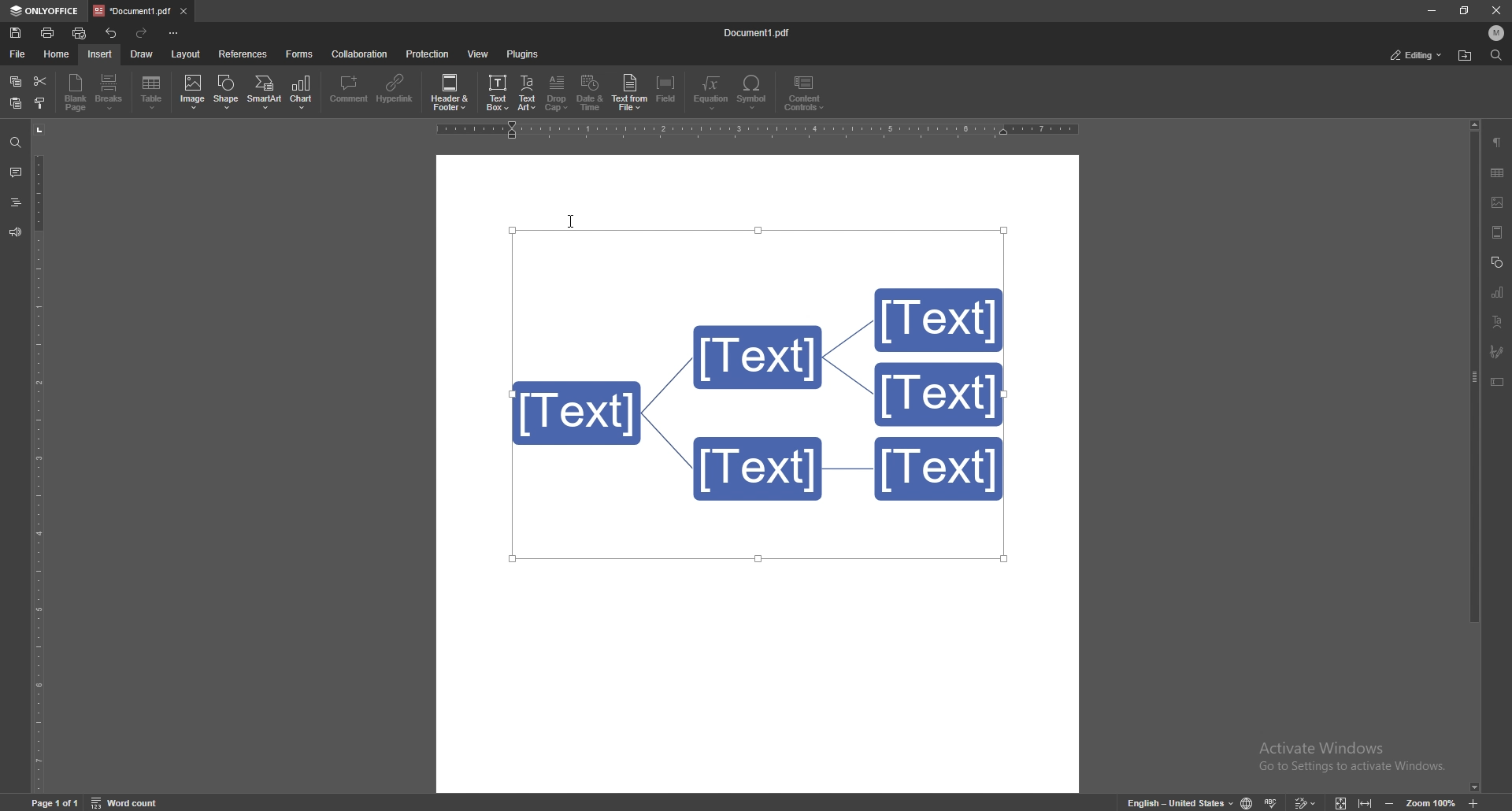  I want to click on plugins, so click(523, 54).